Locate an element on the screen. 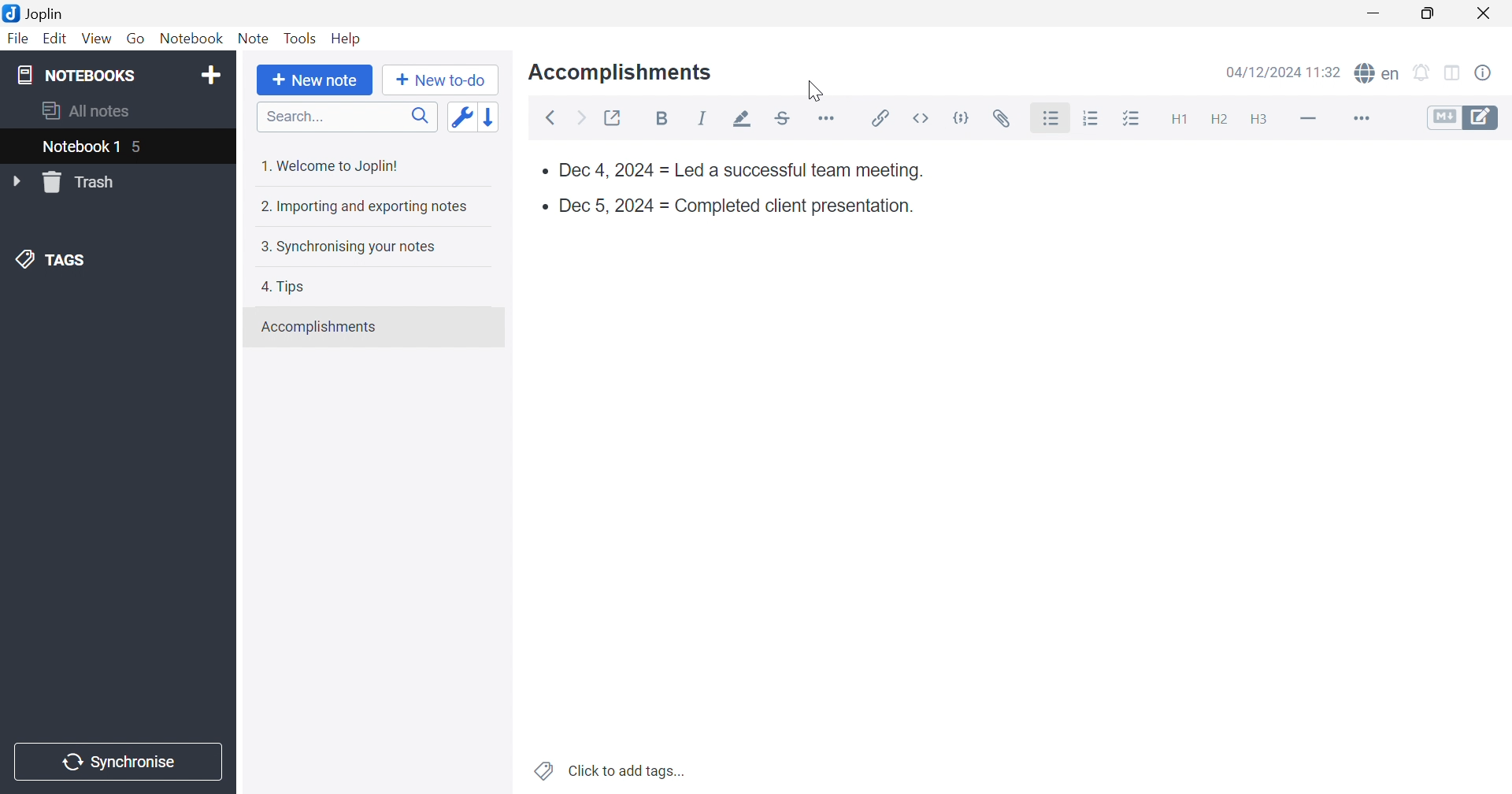  Add notebook is located at coordinates (210, 76).